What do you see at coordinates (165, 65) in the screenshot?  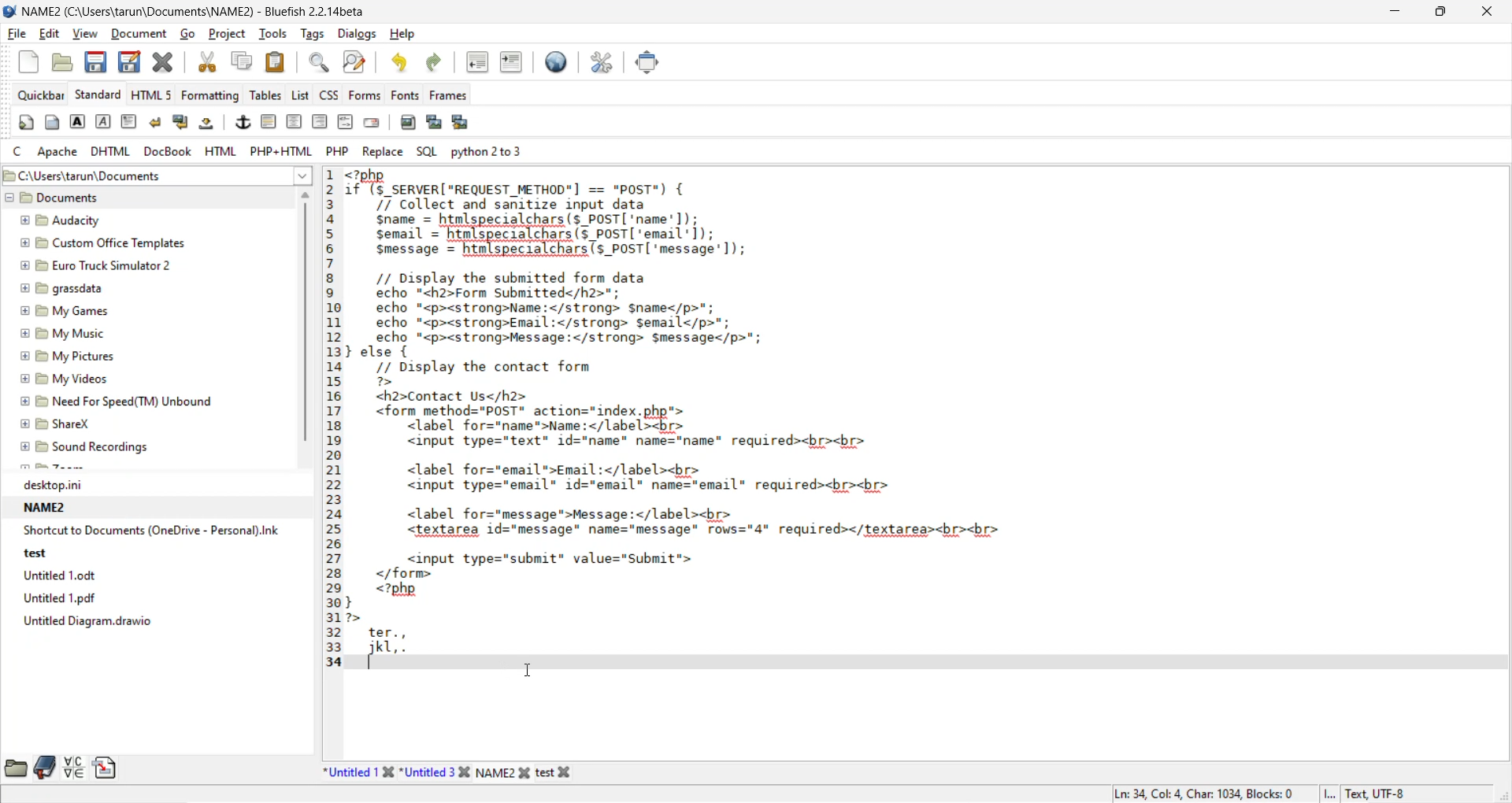 I see `close file` at bounding box center [165, 65].